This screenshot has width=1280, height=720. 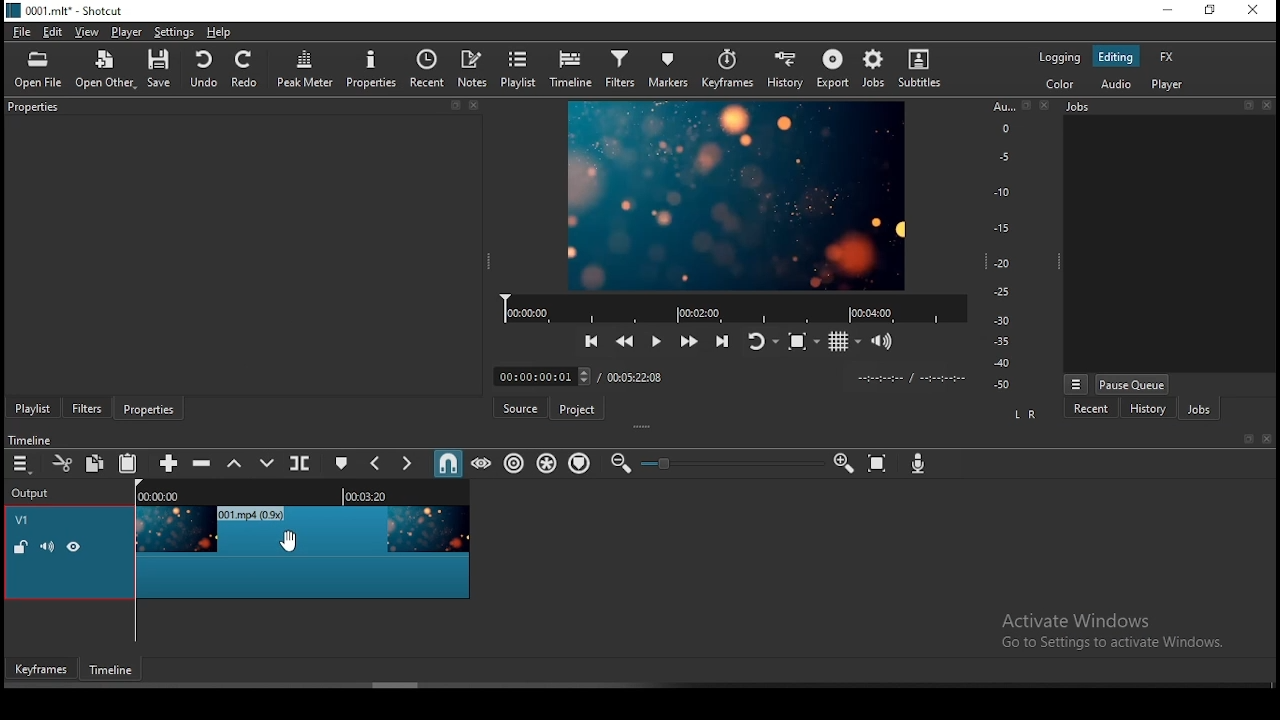 I want to click on record audio, so click(x=918, y=462).